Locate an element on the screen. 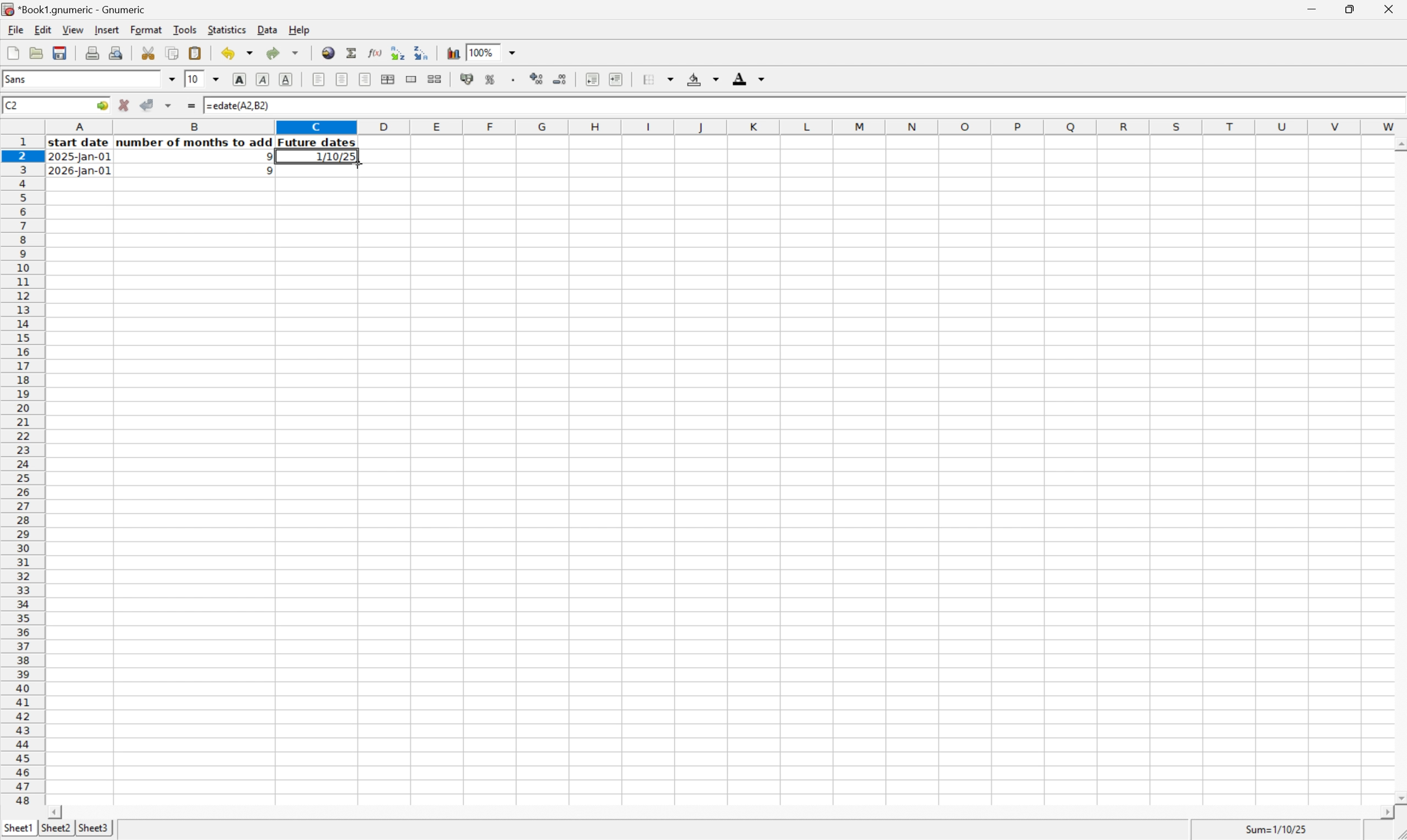  Sans is located at coordinates (22, 79).